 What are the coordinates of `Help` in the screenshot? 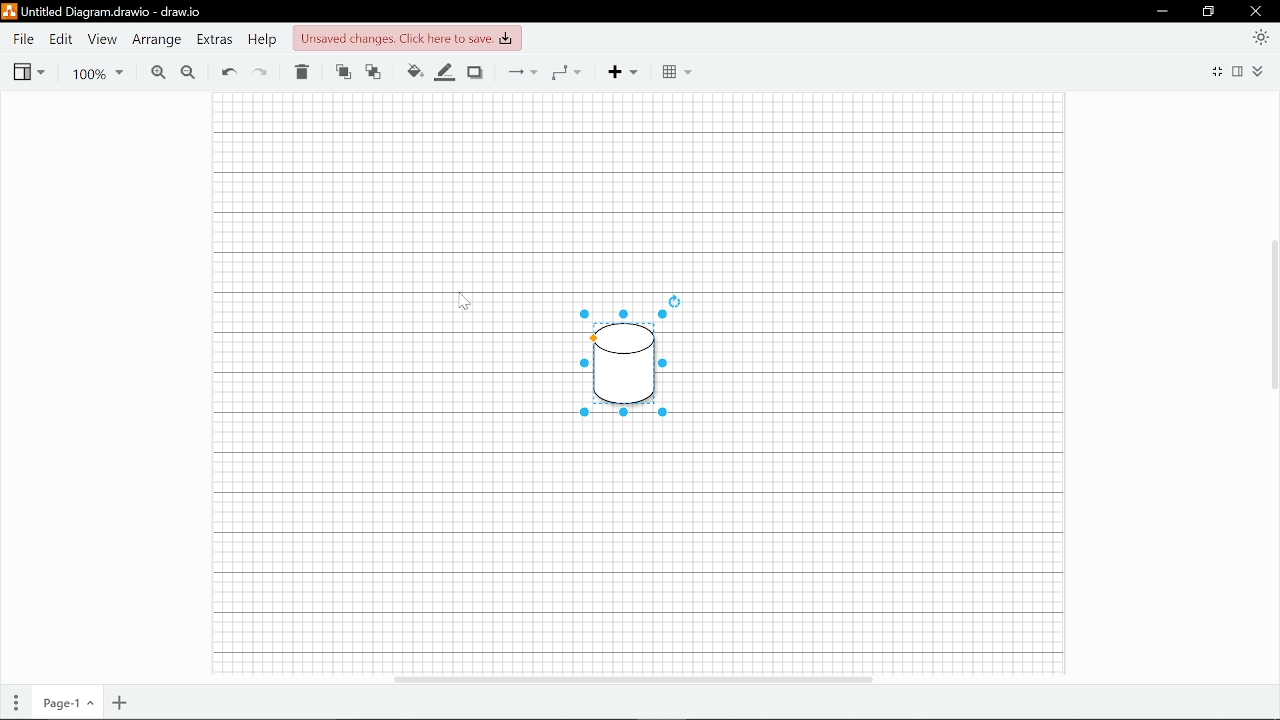 It's located at (265, 40).